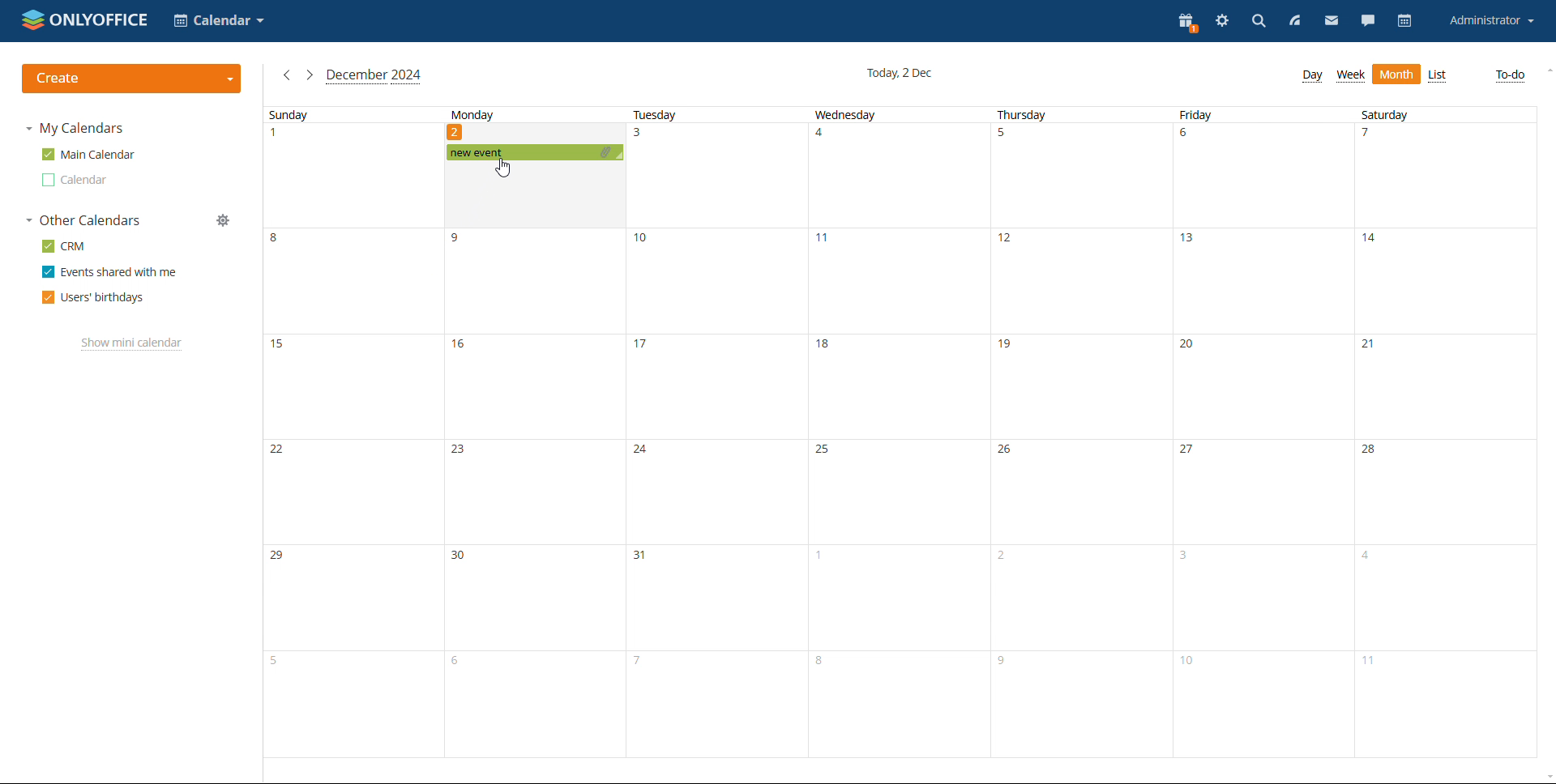 This screenshot has height=784, width=1556. Describe the element at coordinates (64, 245) in the screenshot. I see `crm` at that location.